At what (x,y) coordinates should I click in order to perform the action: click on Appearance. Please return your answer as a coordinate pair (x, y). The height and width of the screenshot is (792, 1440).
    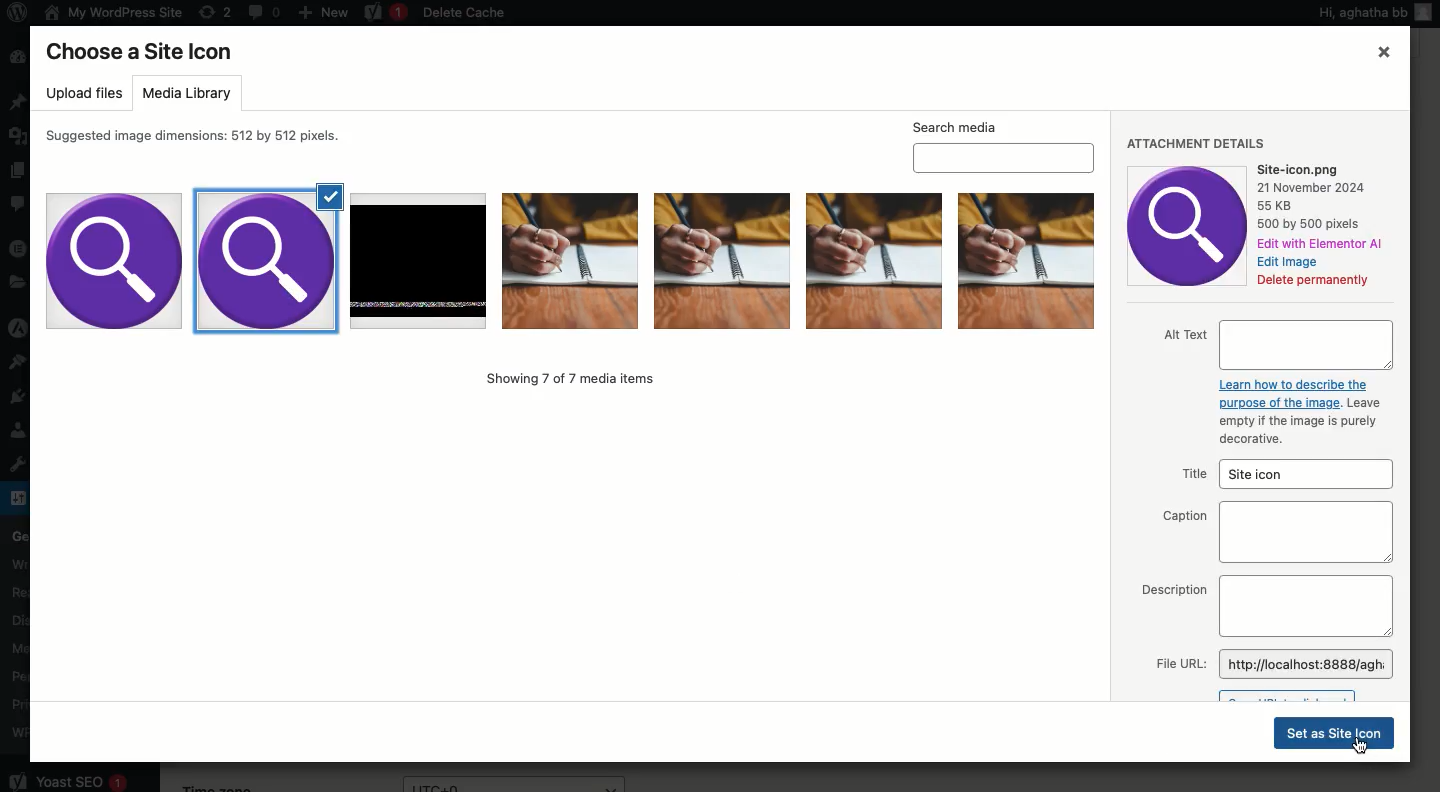
    Looking at the image, I should click on (23, 361).